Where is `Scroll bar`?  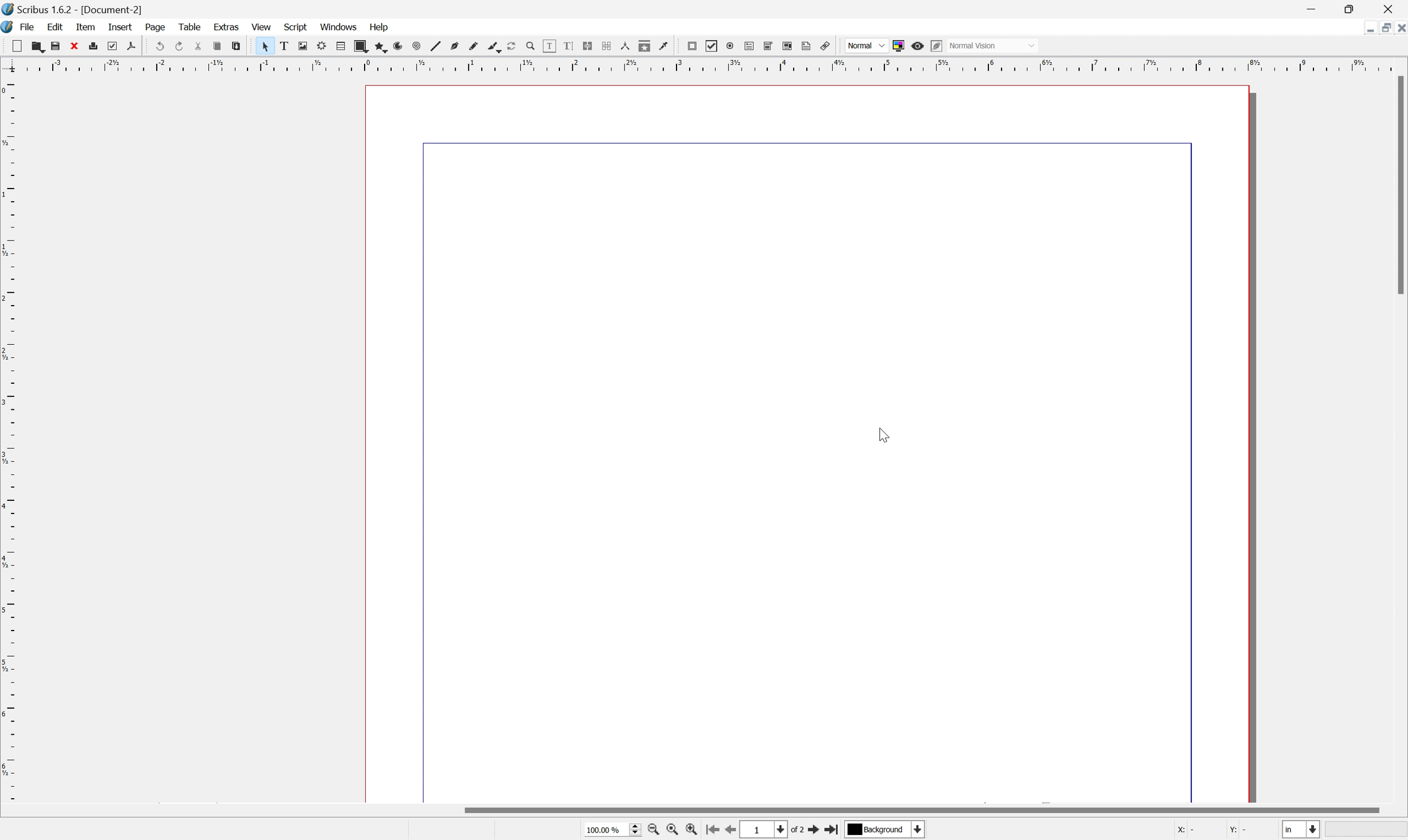 Scroll bar is located at coordinates (712, 809).